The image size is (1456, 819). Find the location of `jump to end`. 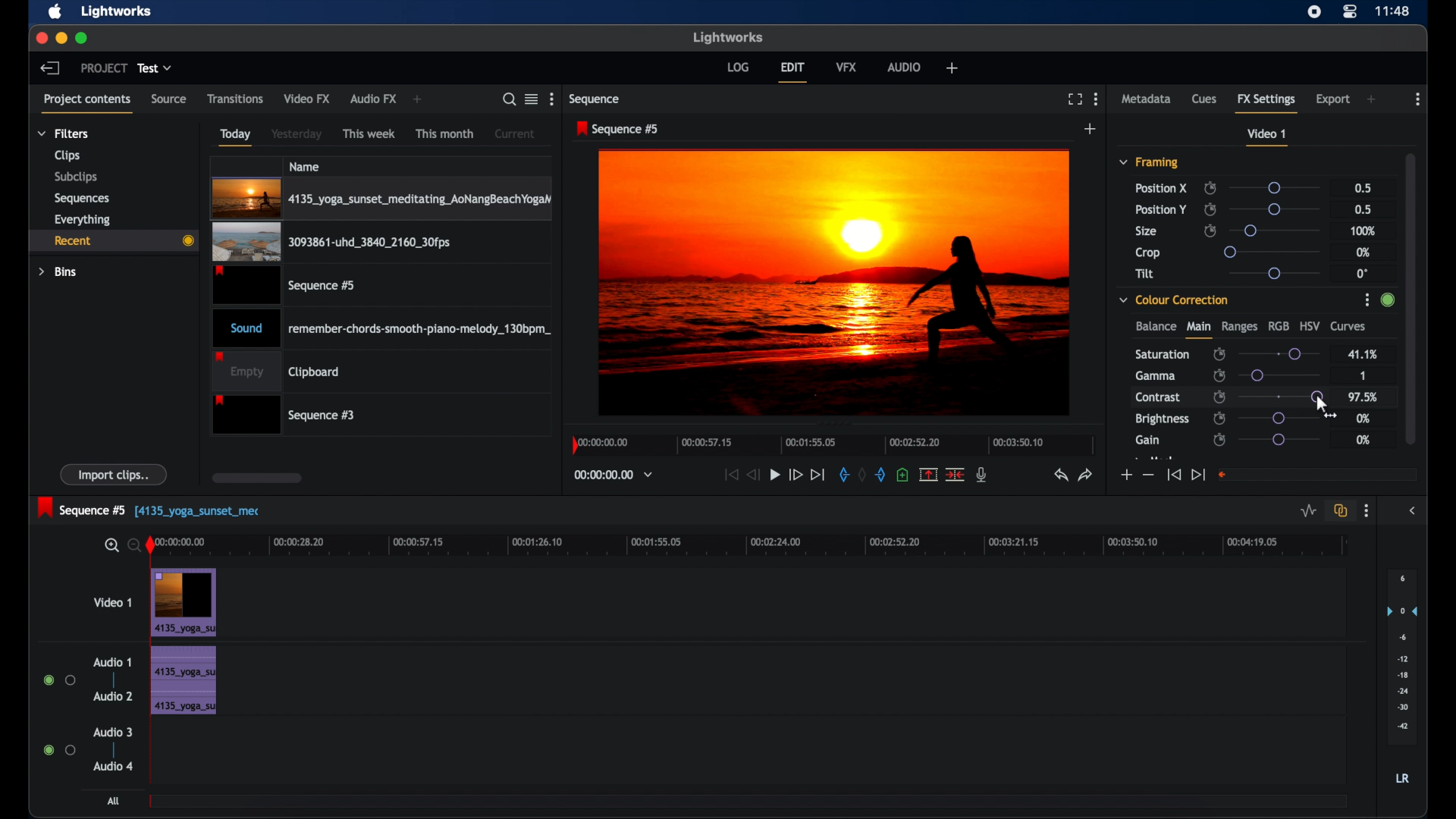

jump to end is located at coordinates (818, 474).